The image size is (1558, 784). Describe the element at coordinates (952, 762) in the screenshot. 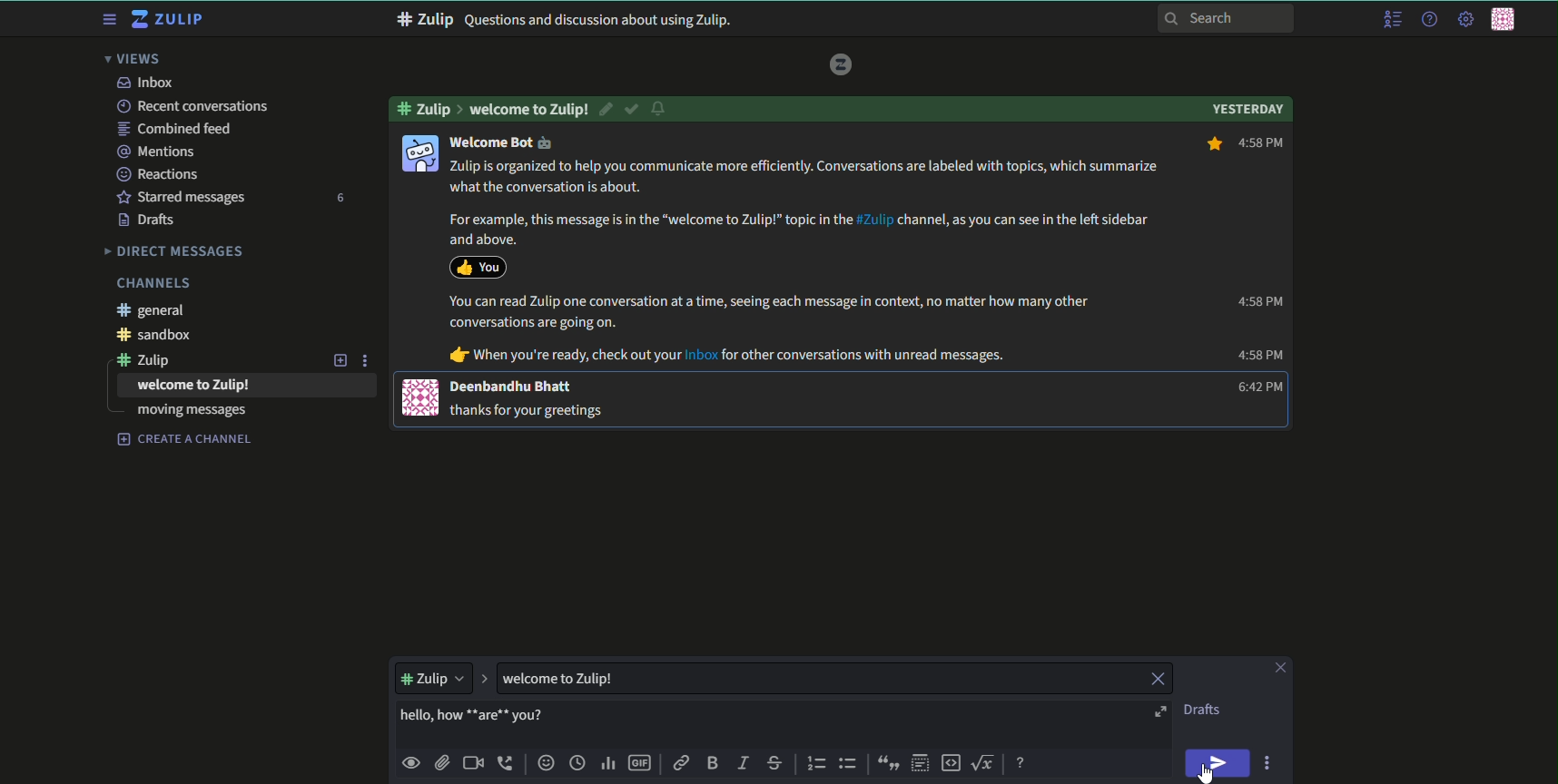

I see `code` at that location.